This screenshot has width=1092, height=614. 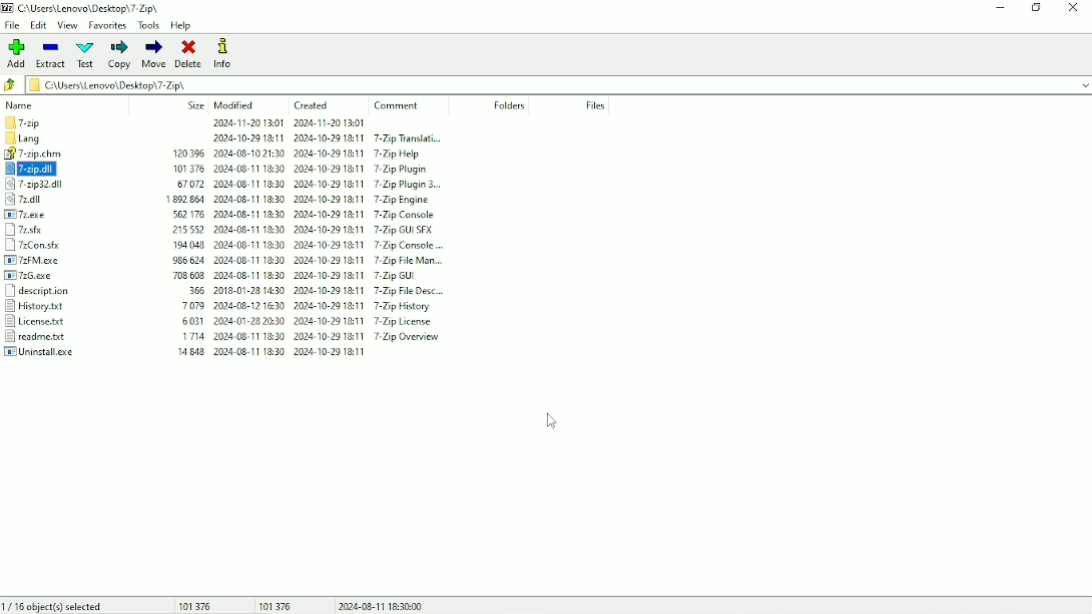 What do you see at coordinates (38, 26) in the screenshot?
I see `Edit` at bounding box center [38, 26].